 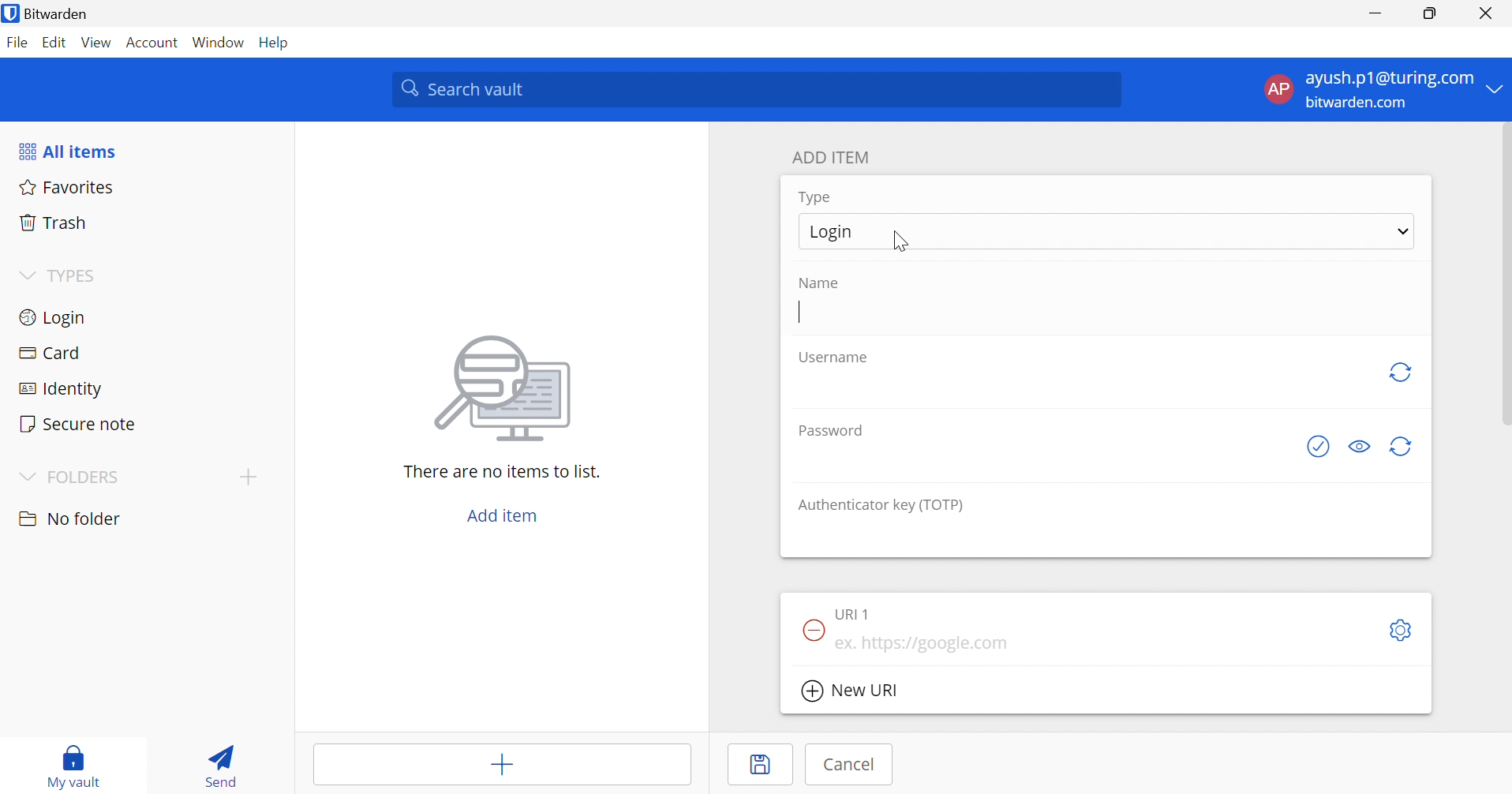 I want to click on Dropdown, so click(x=25, y=275).